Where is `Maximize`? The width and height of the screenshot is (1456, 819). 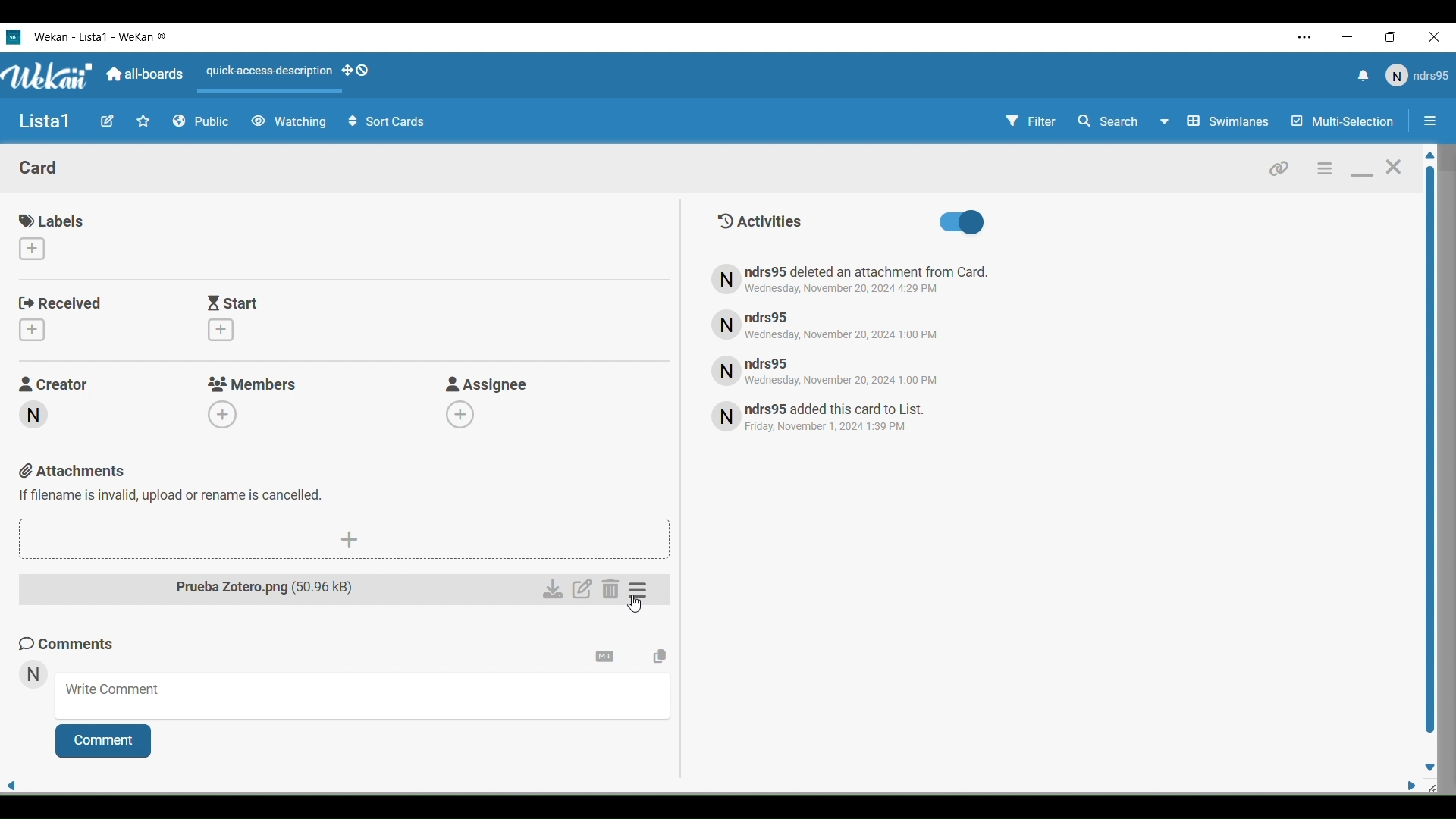 Maximize is located at coordinates (1395, 38).